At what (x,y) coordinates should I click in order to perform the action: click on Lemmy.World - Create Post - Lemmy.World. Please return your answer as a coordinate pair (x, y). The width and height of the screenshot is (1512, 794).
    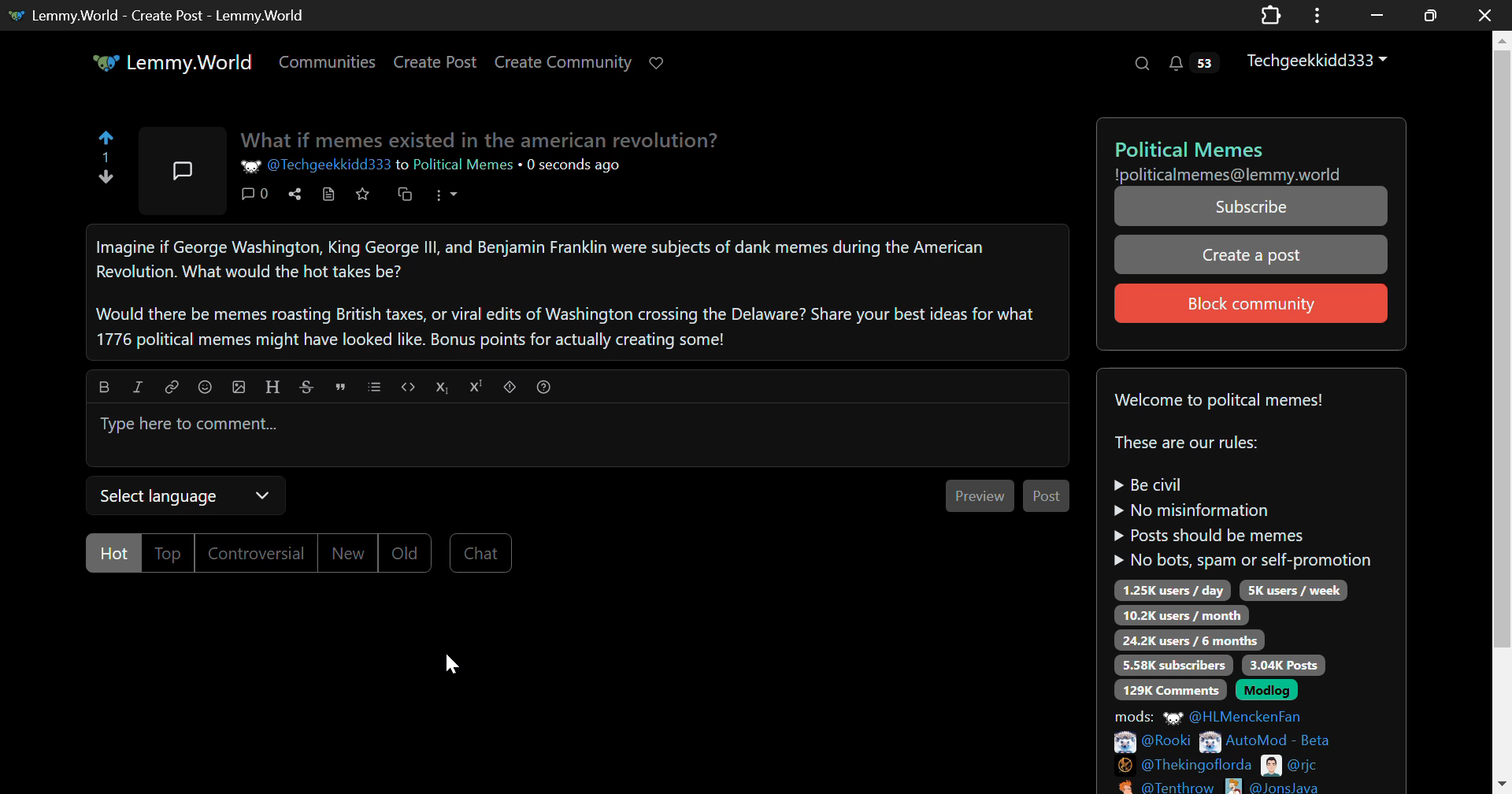
    Looking at the image, I should click on (169, 15).